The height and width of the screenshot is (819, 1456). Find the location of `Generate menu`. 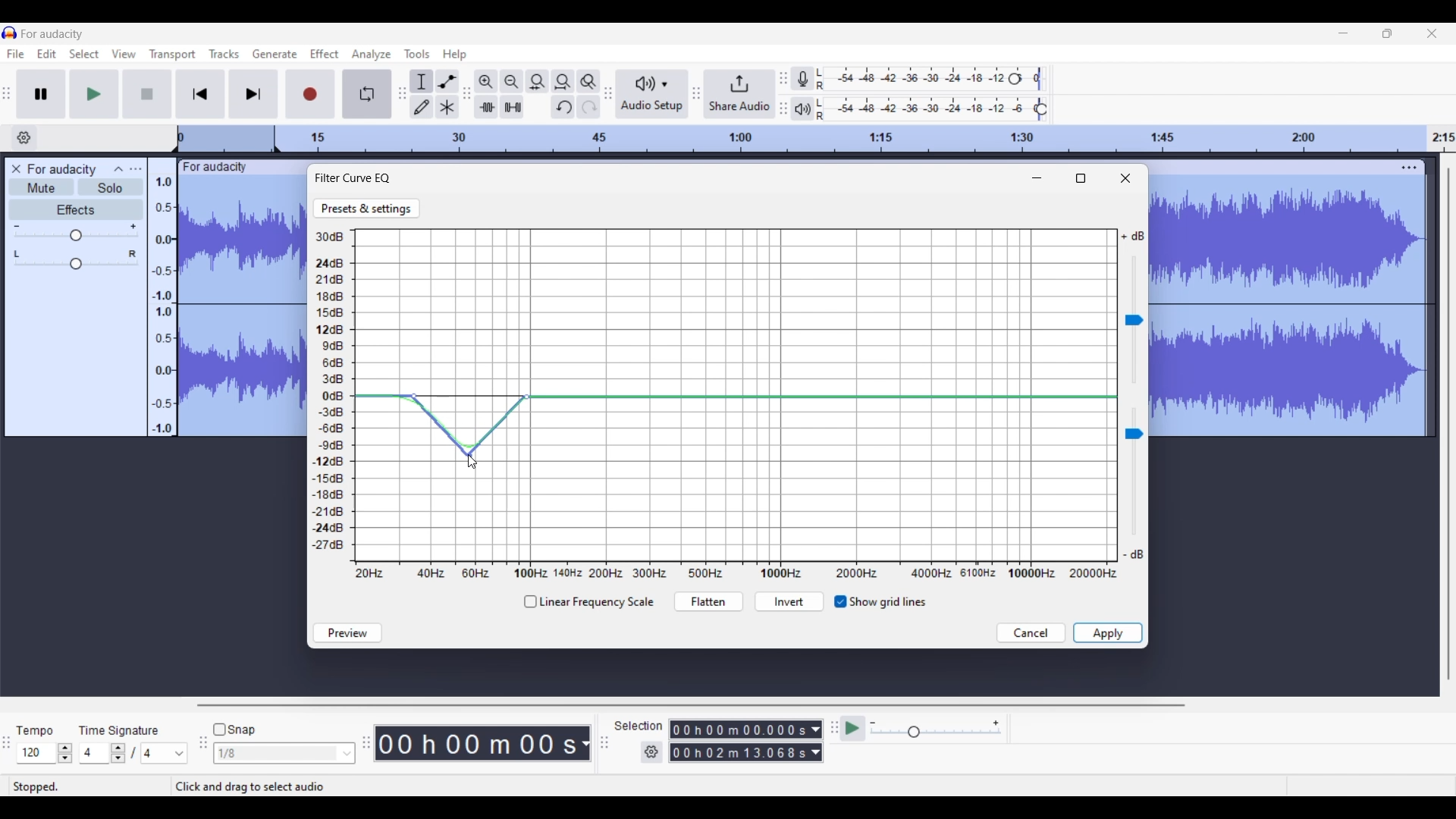

Generate menu is located at coordinates (271, 55).